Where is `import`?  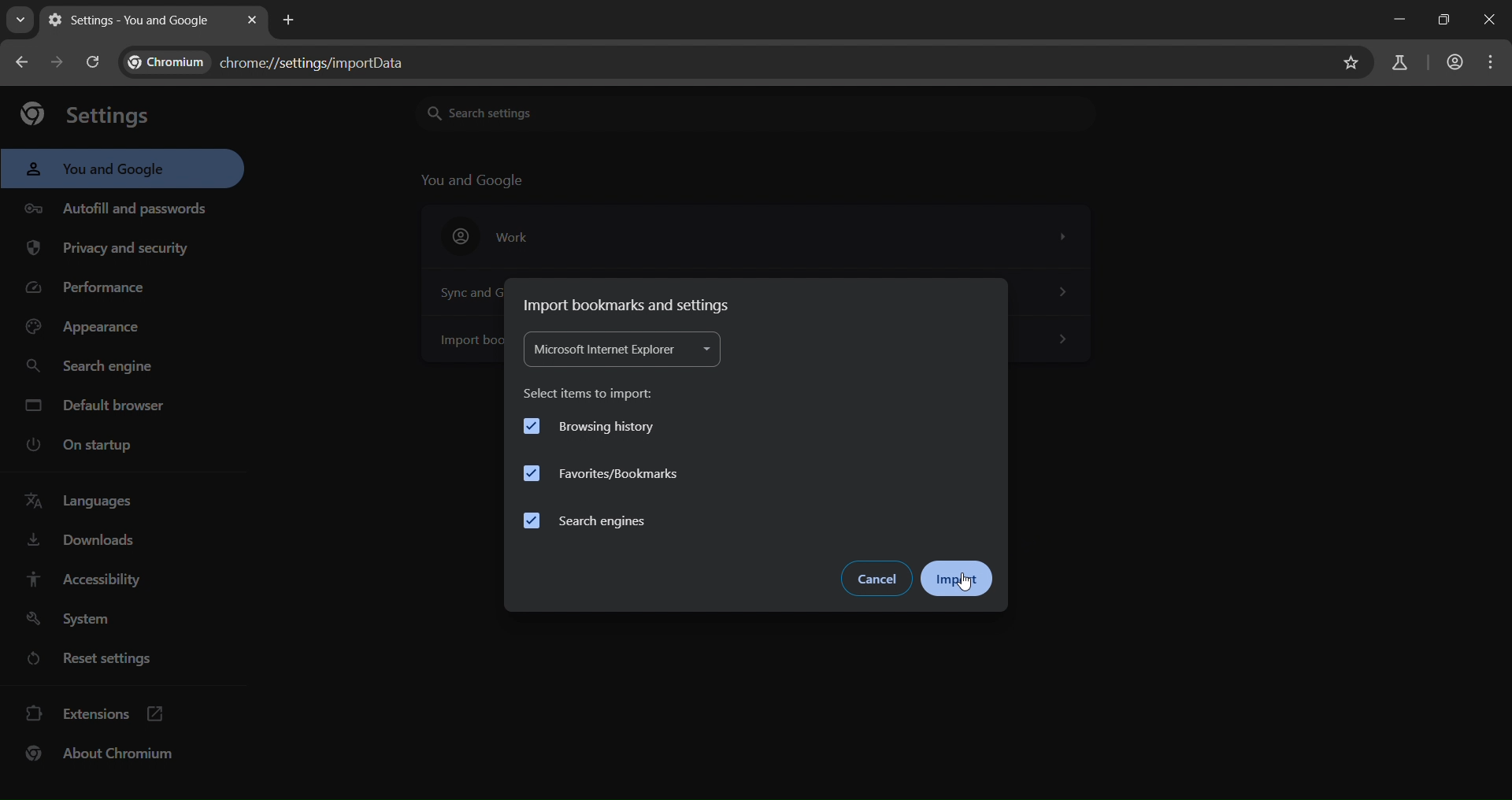 import is located at coordinates (959, 577).